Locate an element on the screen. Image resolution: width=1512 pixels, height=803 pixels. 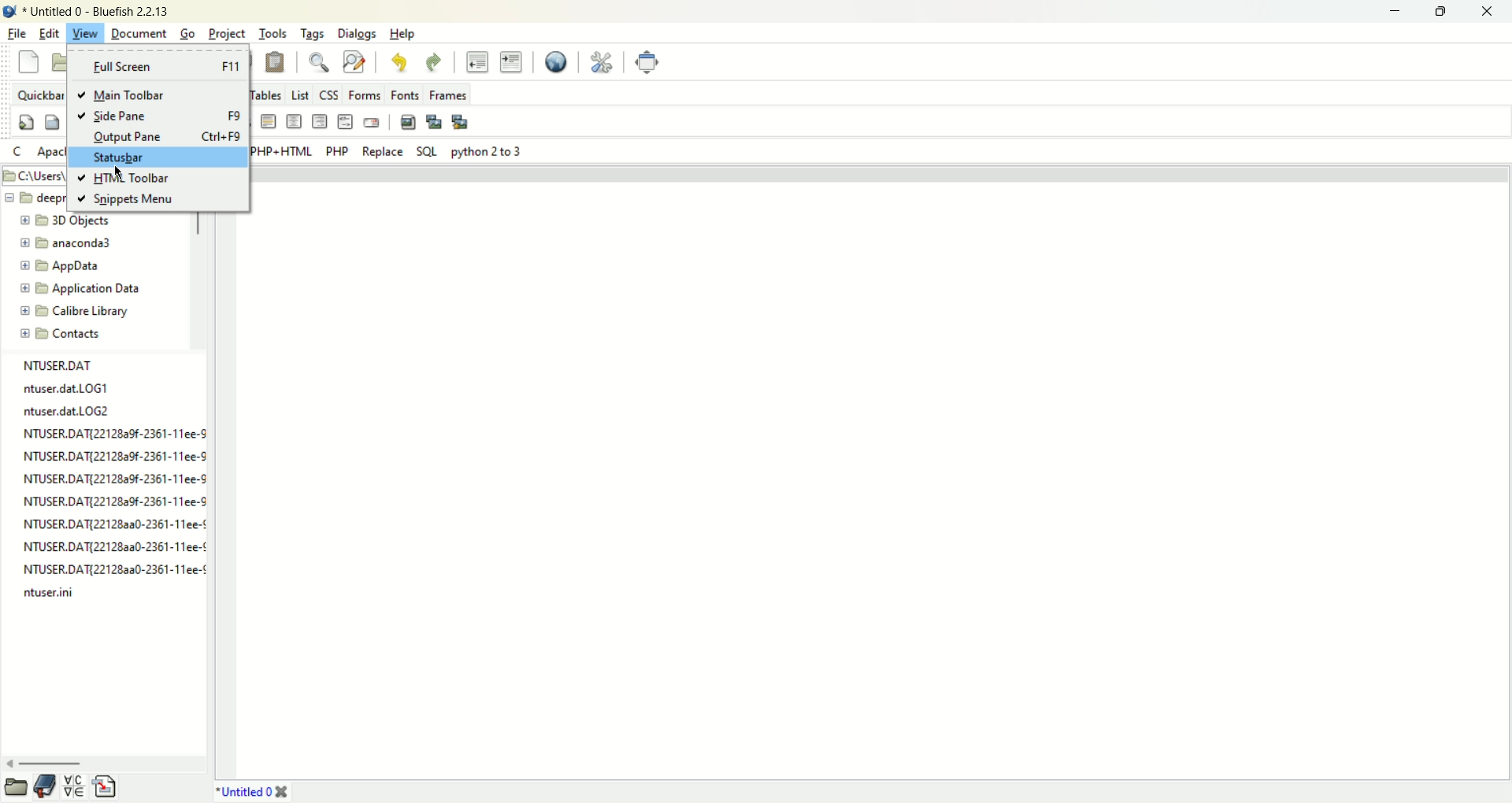
paste is located at coordinates (275, 61).